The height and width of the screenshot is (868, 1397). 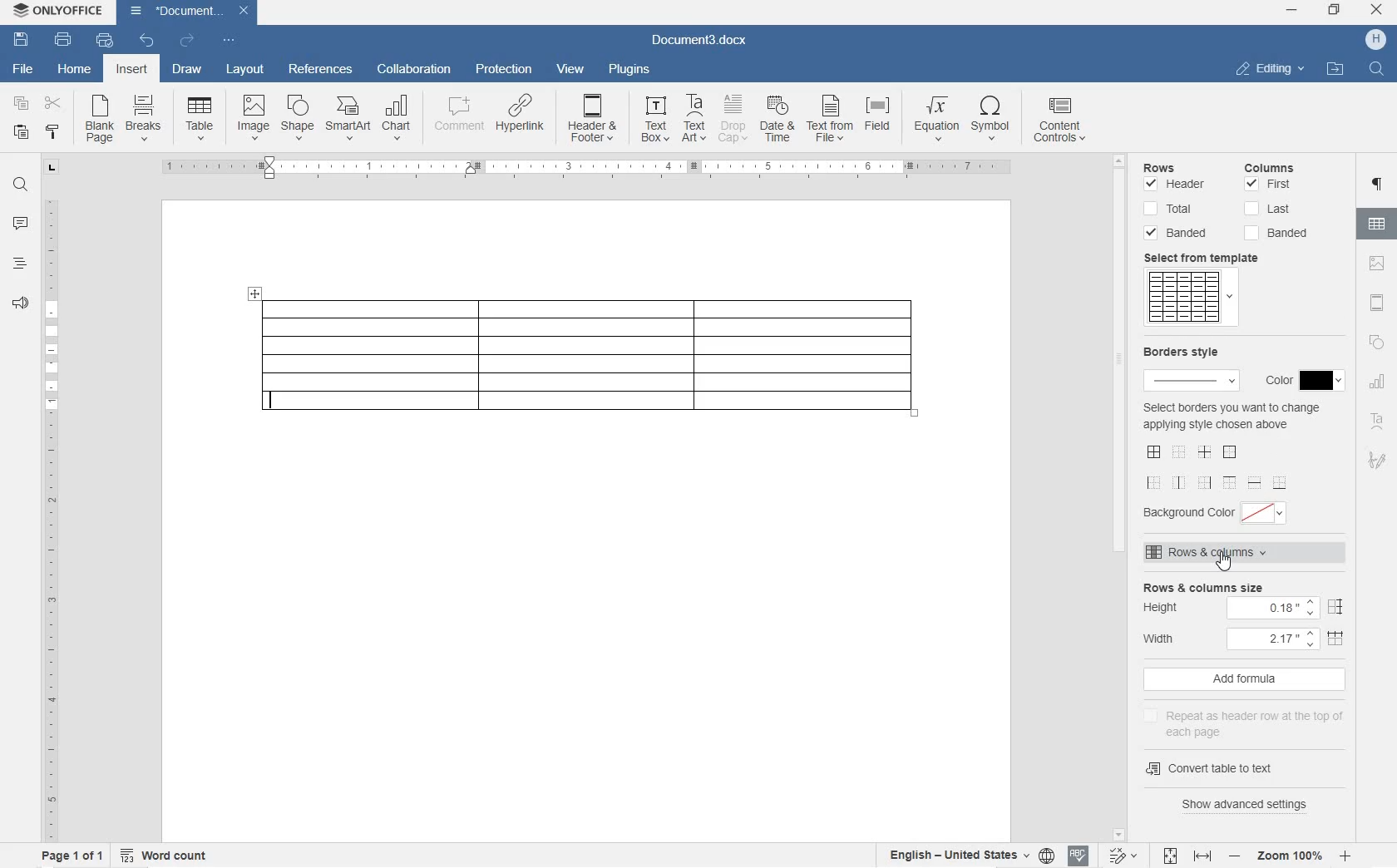 What do you see at coordinates (53, 132) in the screenshot?
I see `COPY STYLE` at bounding box center [53, 132].